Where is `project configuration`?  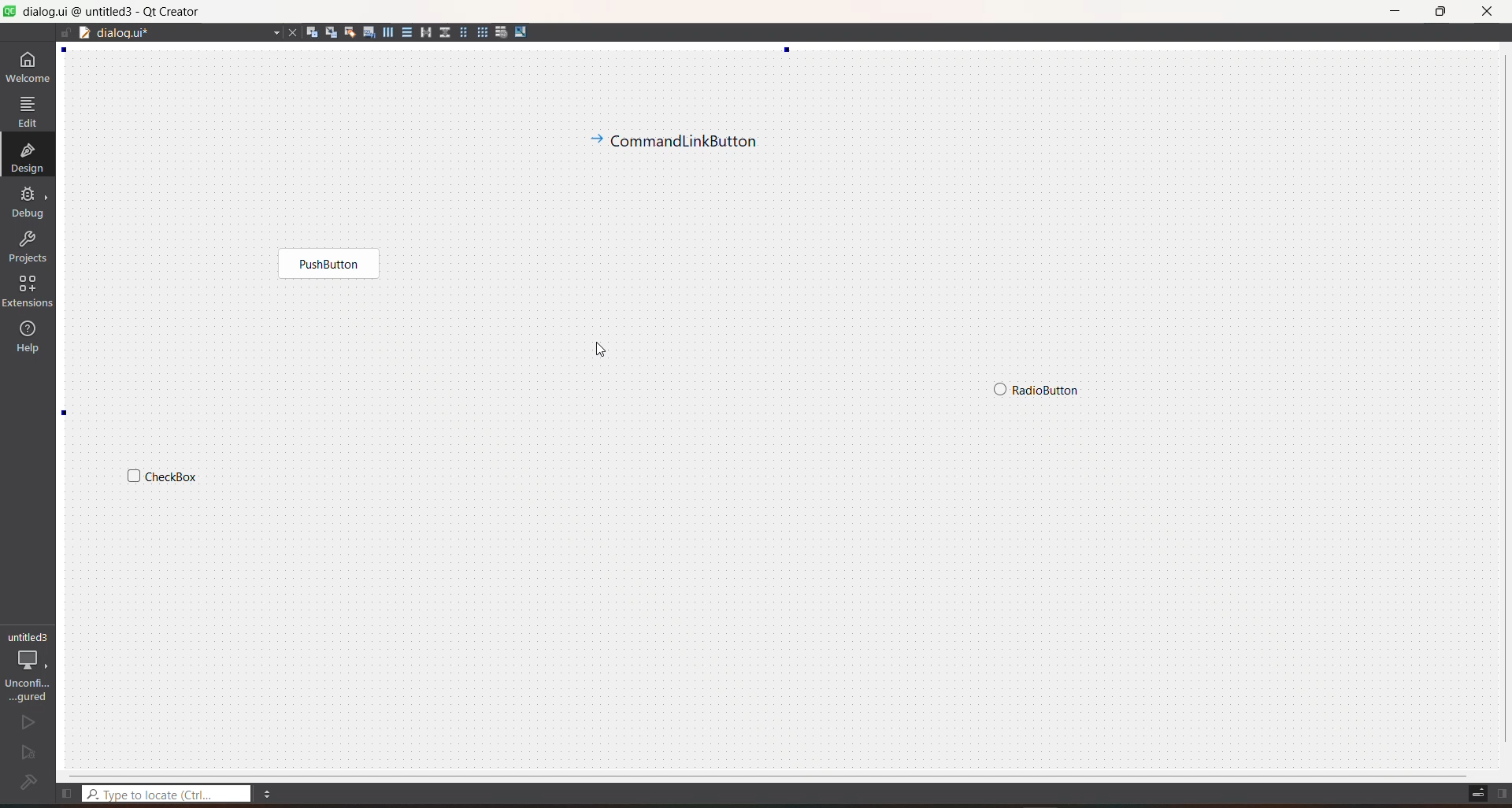
project configuration is located at coordinates (29, 666).